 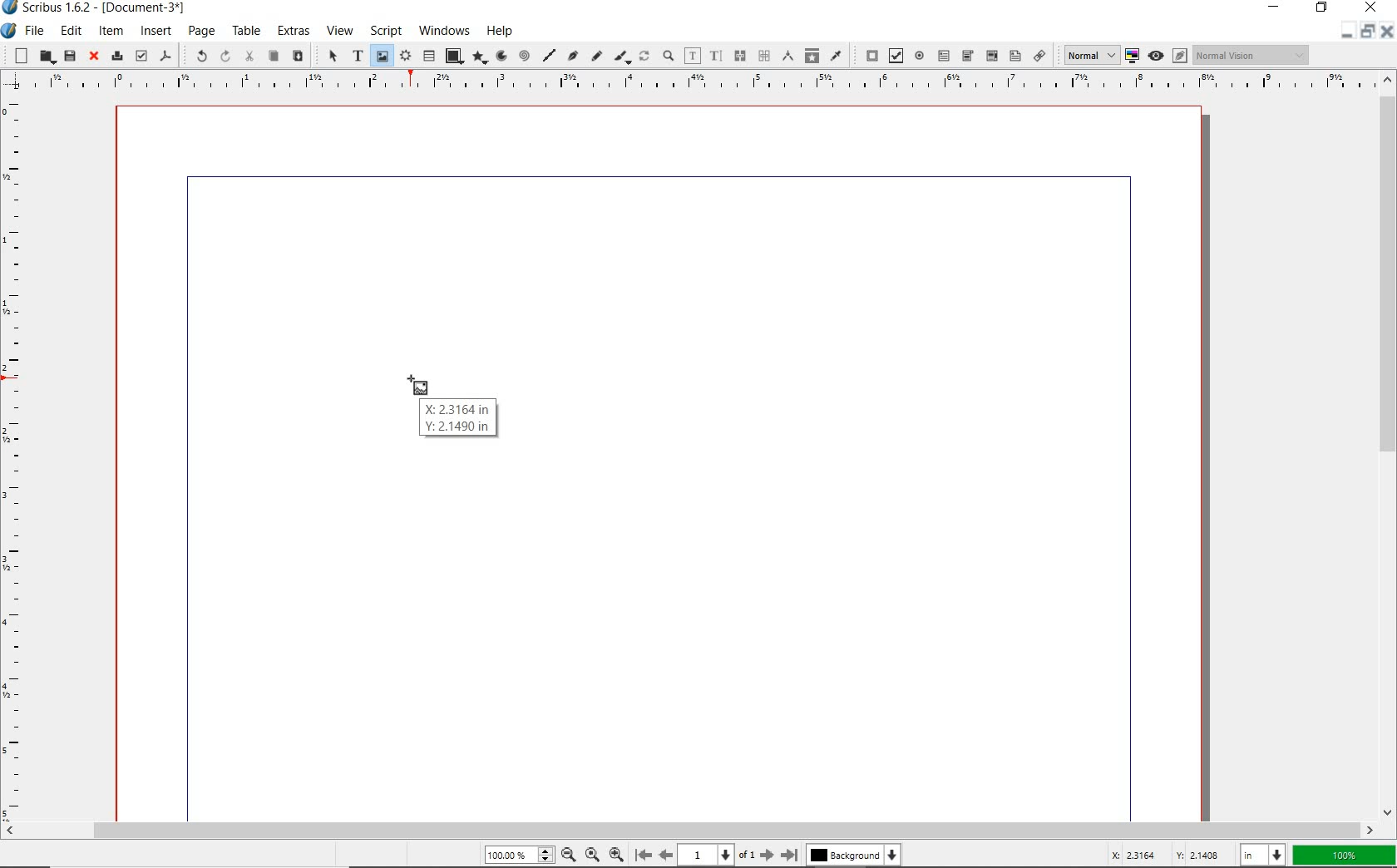 I want to click on zoom in or zoom out, so click(x=668, y=55).